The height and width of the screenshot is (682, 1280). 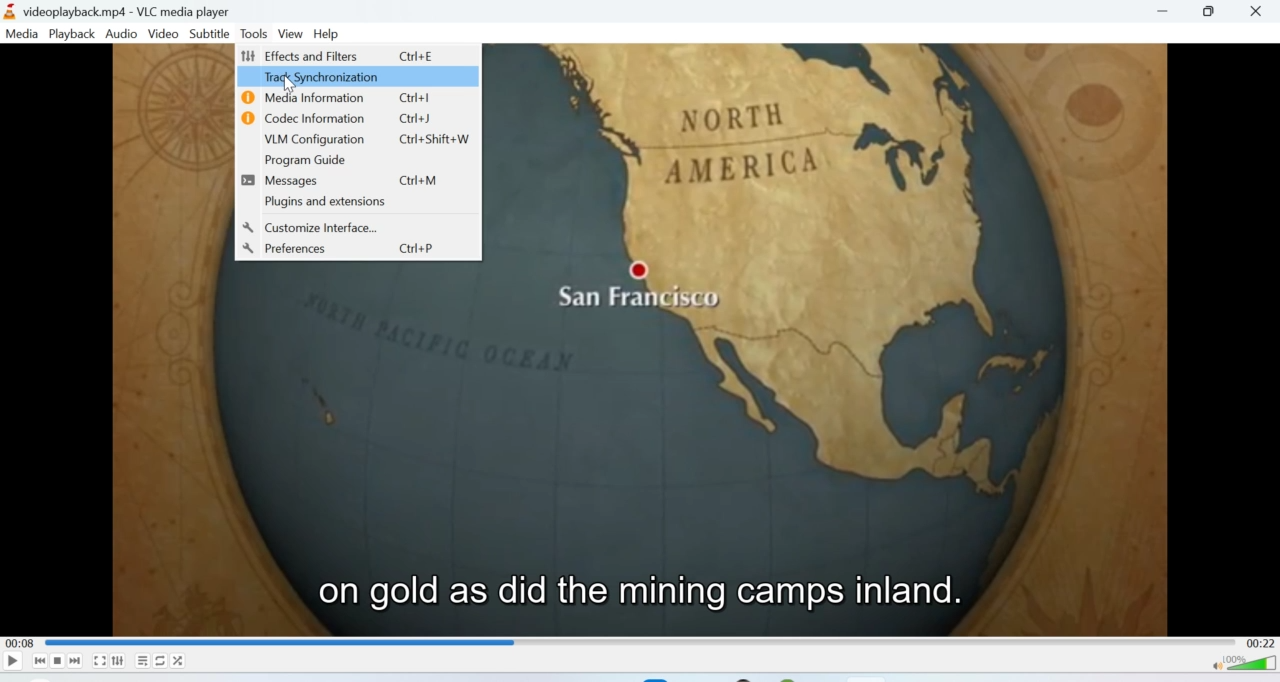 I want to click on VLM Configuration, so click(x=315, y=138).